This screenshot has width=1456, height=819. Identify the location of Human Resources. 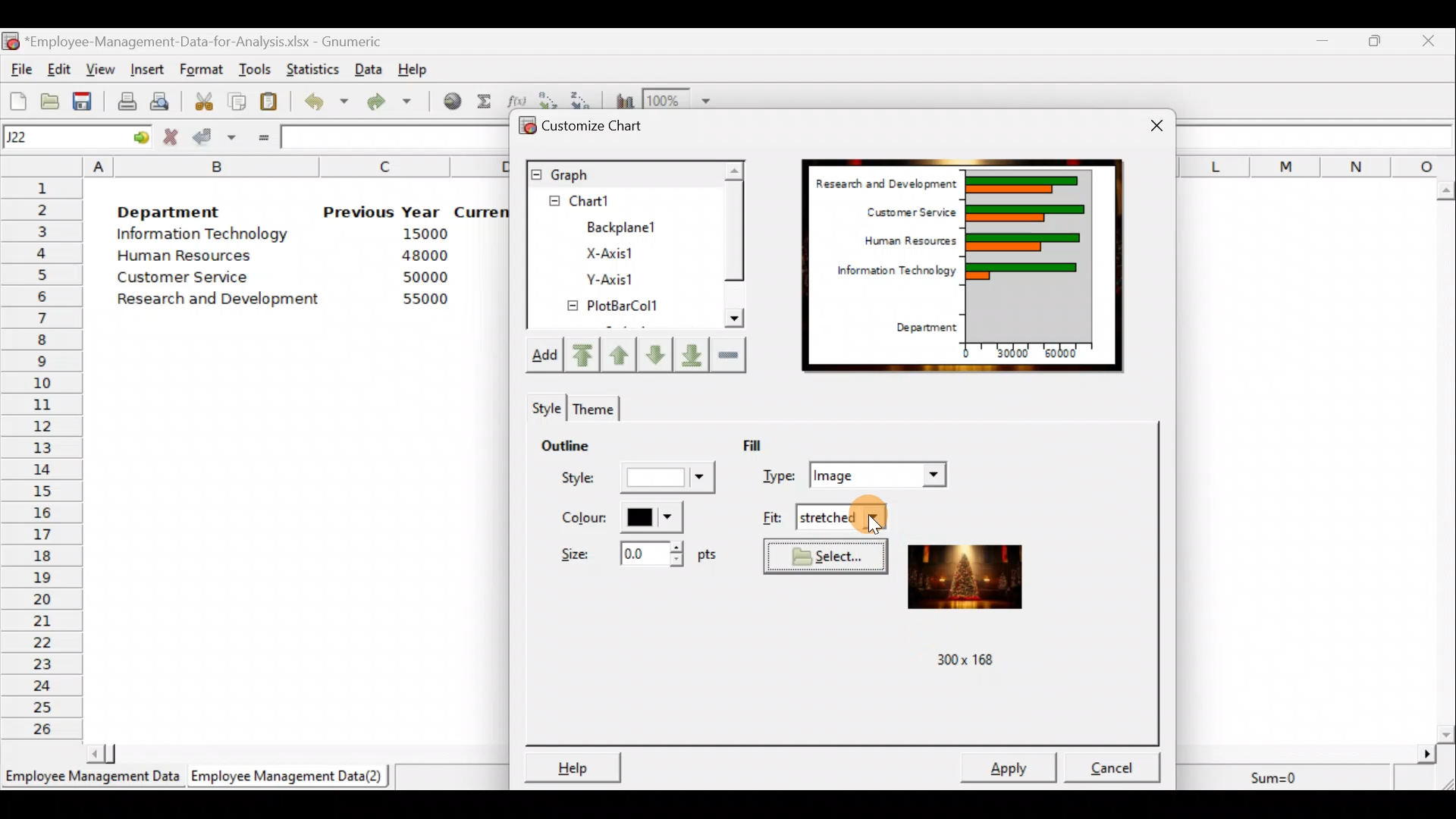
(899, 242).